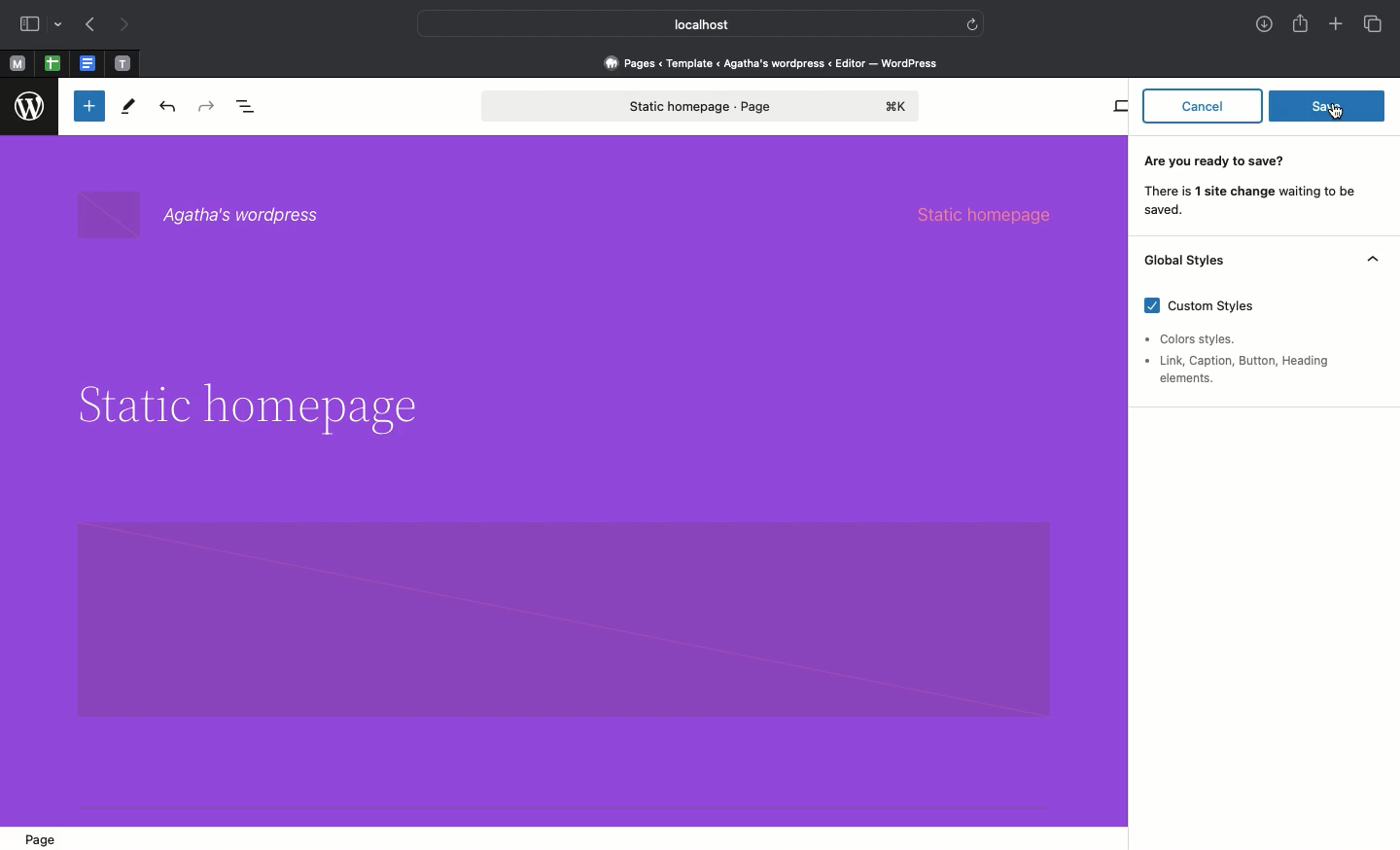 This screenshot has height=850, width=1400. I want to click on Pinned tab, so click(52, 64).